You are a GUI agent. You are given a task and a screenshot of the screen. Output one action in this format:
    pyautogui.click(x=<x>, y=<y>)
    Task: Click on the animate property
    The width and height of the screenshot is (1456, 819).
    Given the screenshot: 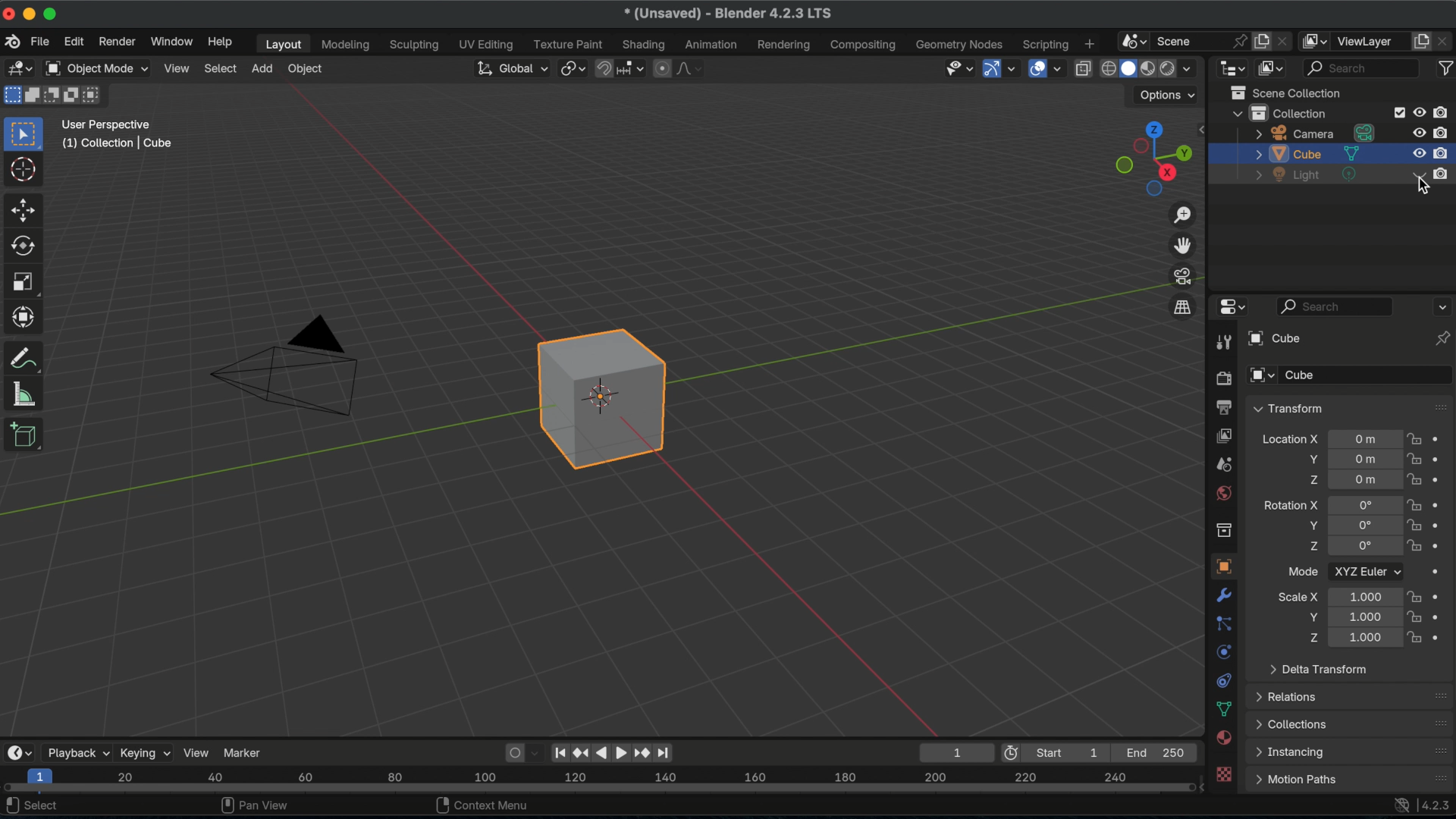 What is the action you would take?
    pyautogui.click(x=1442, y=501)
    